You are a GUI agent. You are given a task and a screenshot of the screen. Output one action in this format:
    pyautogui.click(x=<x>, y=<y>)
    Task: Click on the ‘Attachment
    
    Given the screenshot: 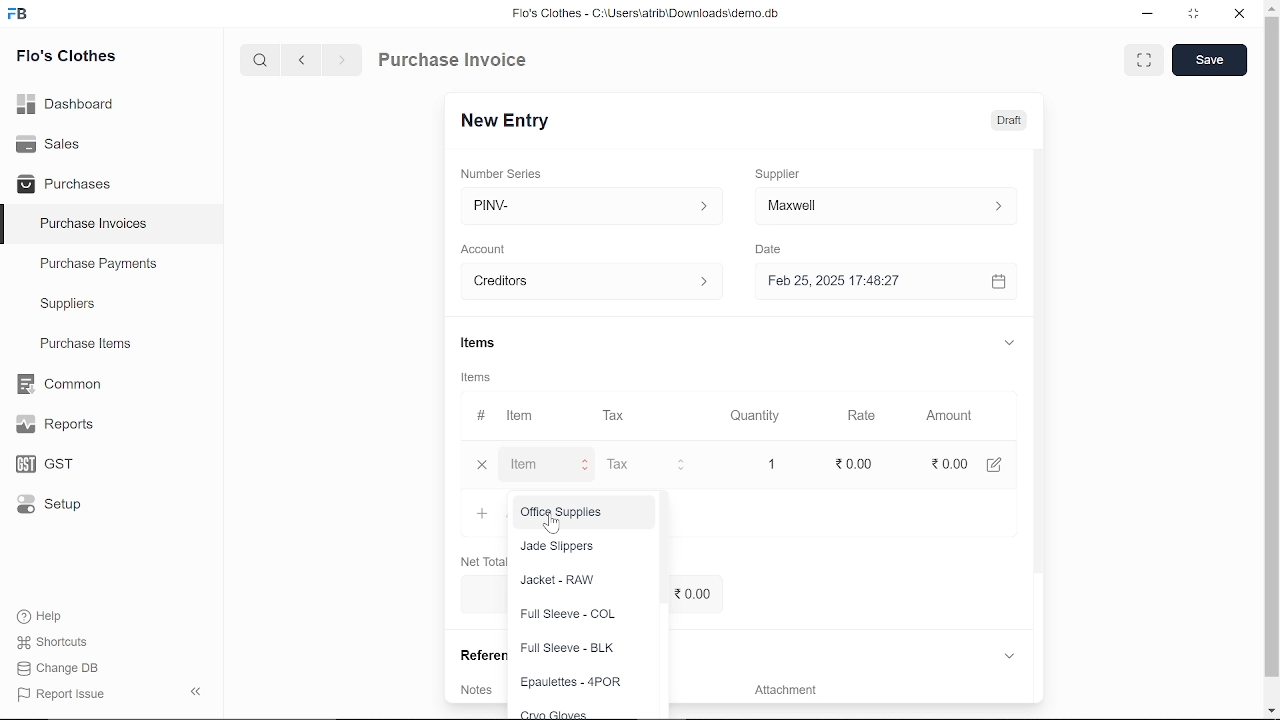 What is the action you would take?
    pyautogui.click(x=792, y=693)
    